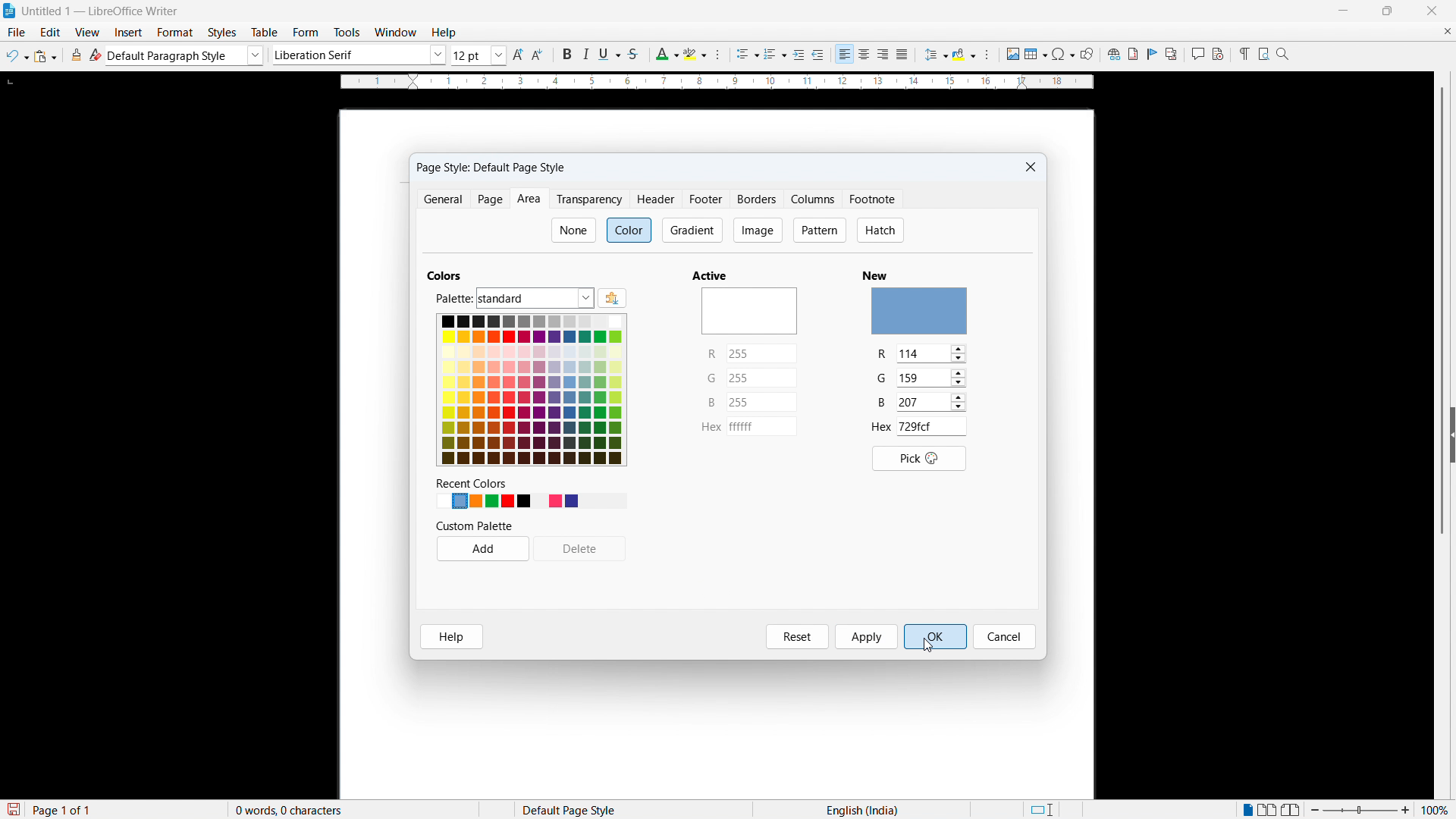 The image size is (1456, 819). What do you see at coordinates (539, 55) in the screenshot?
I see `Reduce font size ` at bounding box center [539, 55].